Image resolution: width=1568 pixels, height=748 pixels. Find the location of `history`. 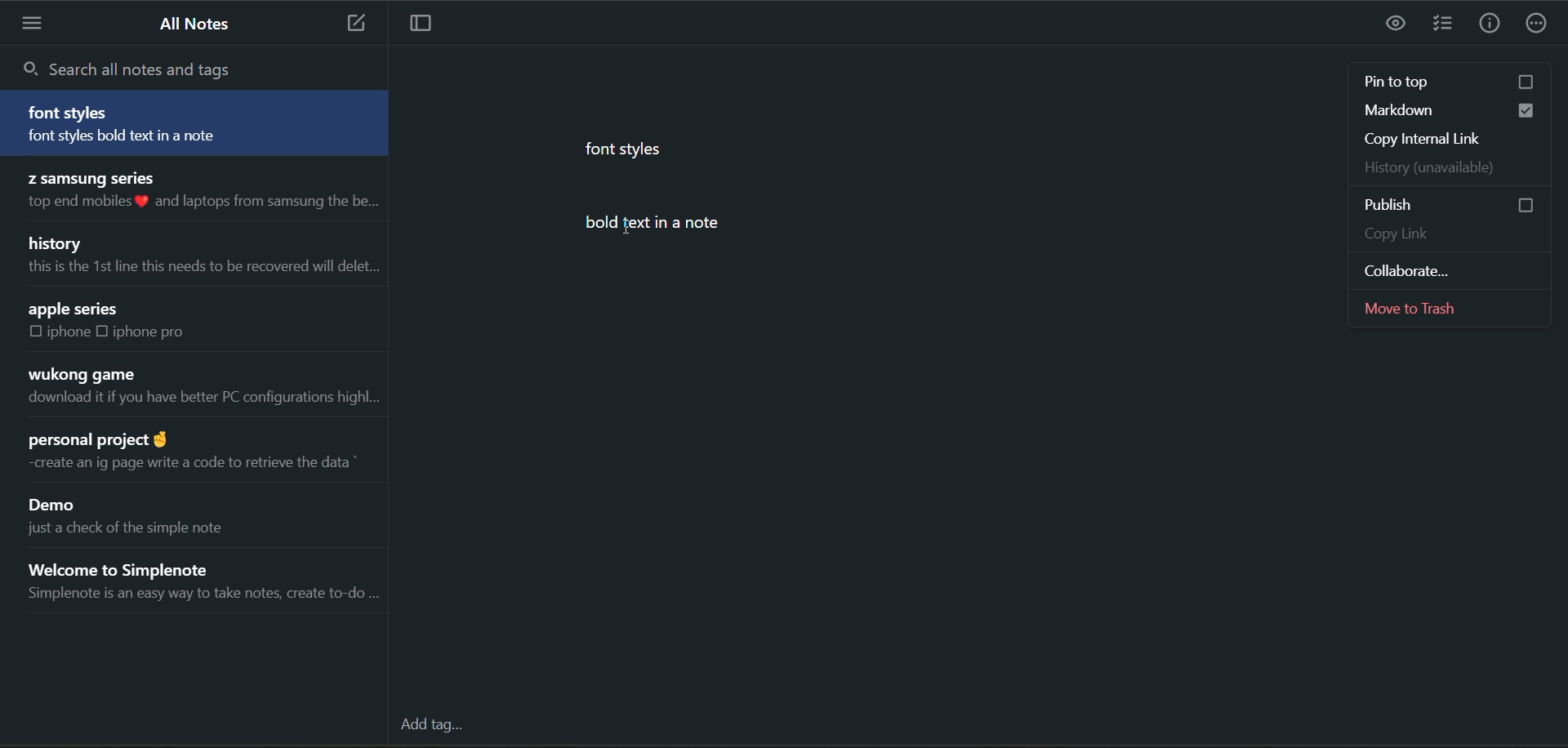

history is located at coordinates (58, 242).